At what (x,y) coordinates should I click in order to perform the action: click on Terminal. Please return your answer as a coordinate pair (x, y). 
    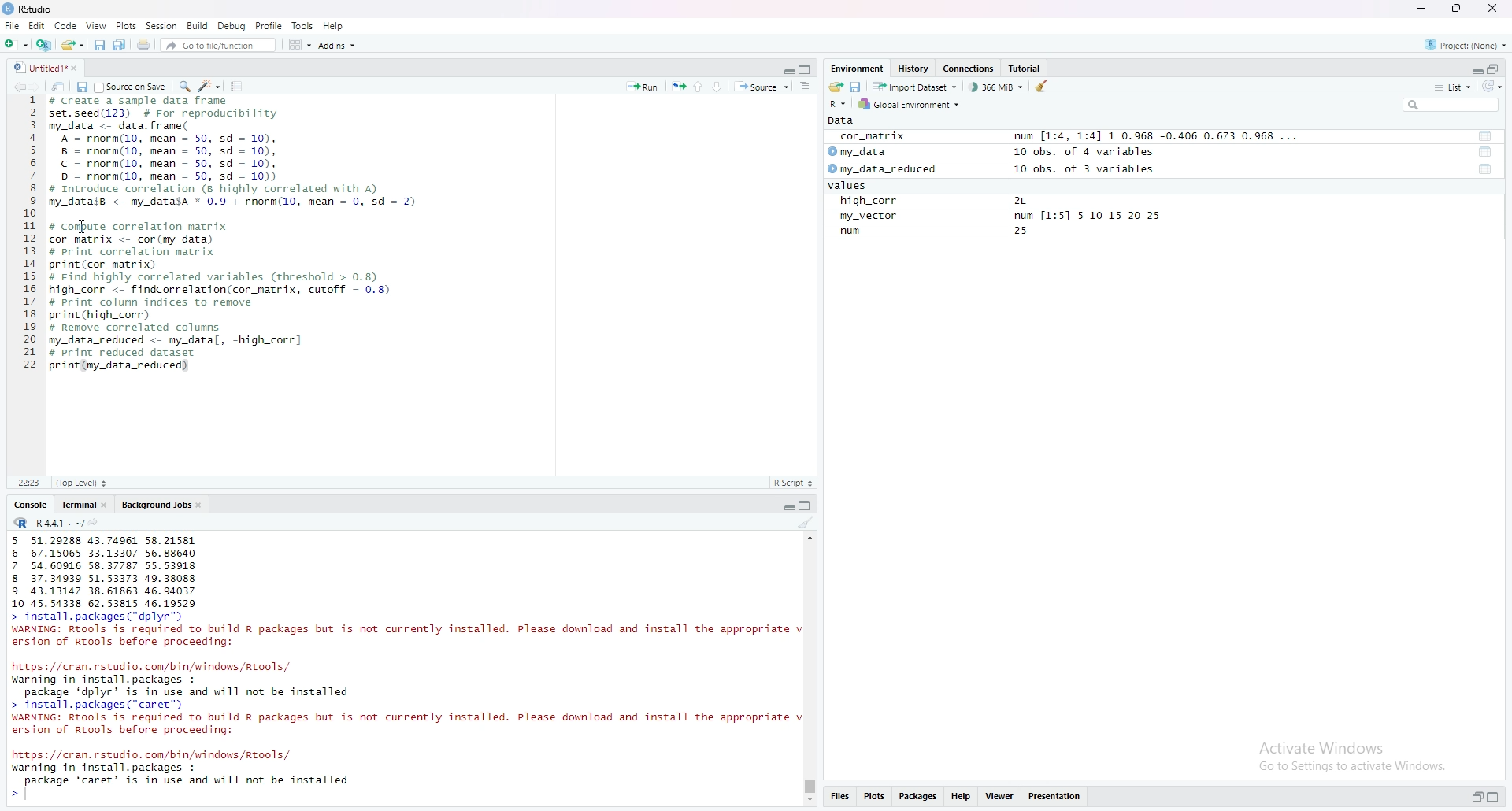
    Looking at the image, I should click on (79, 505).